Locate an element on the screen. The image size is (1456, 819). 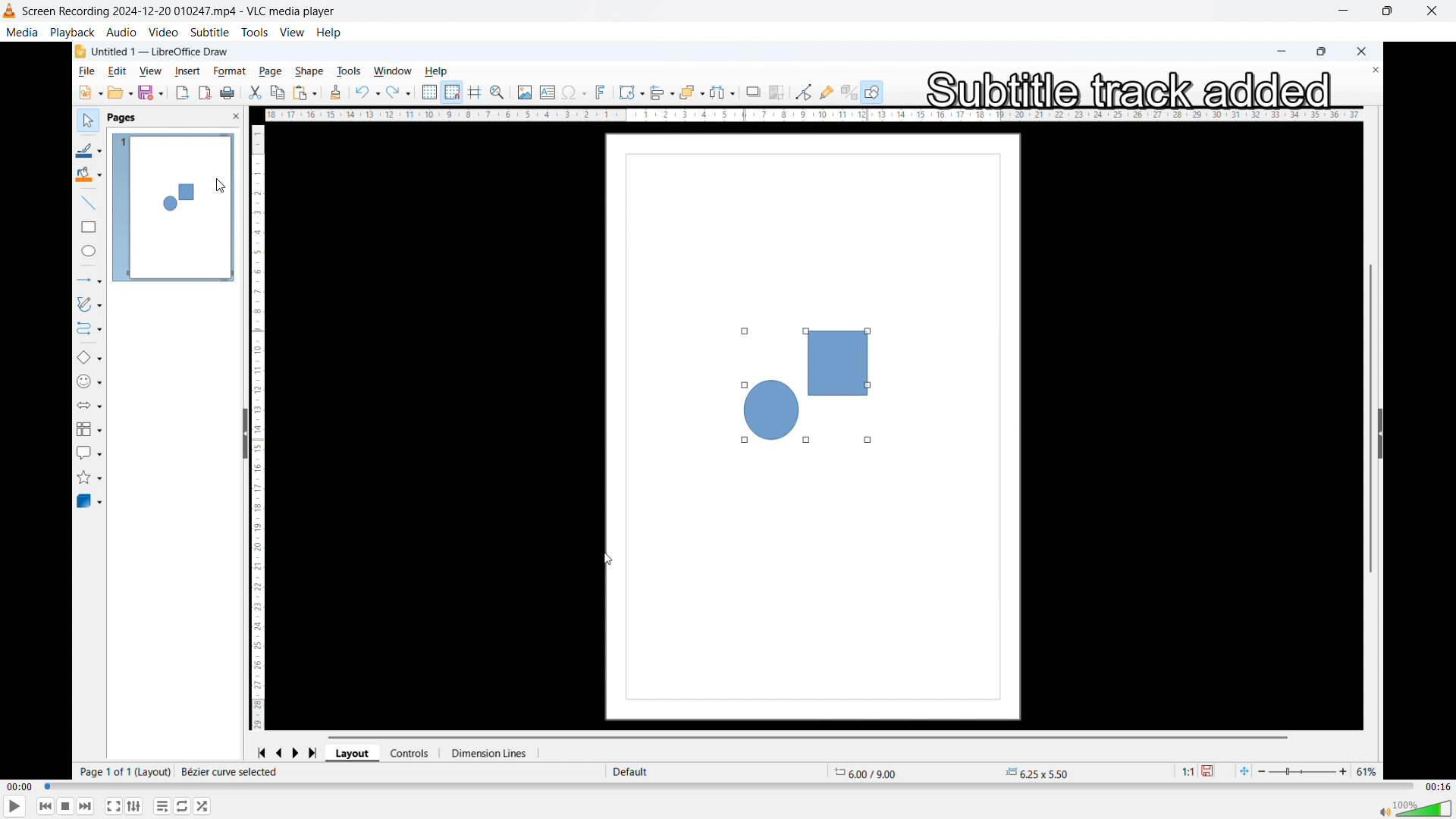
Play  is located at coordinates (15, 807).